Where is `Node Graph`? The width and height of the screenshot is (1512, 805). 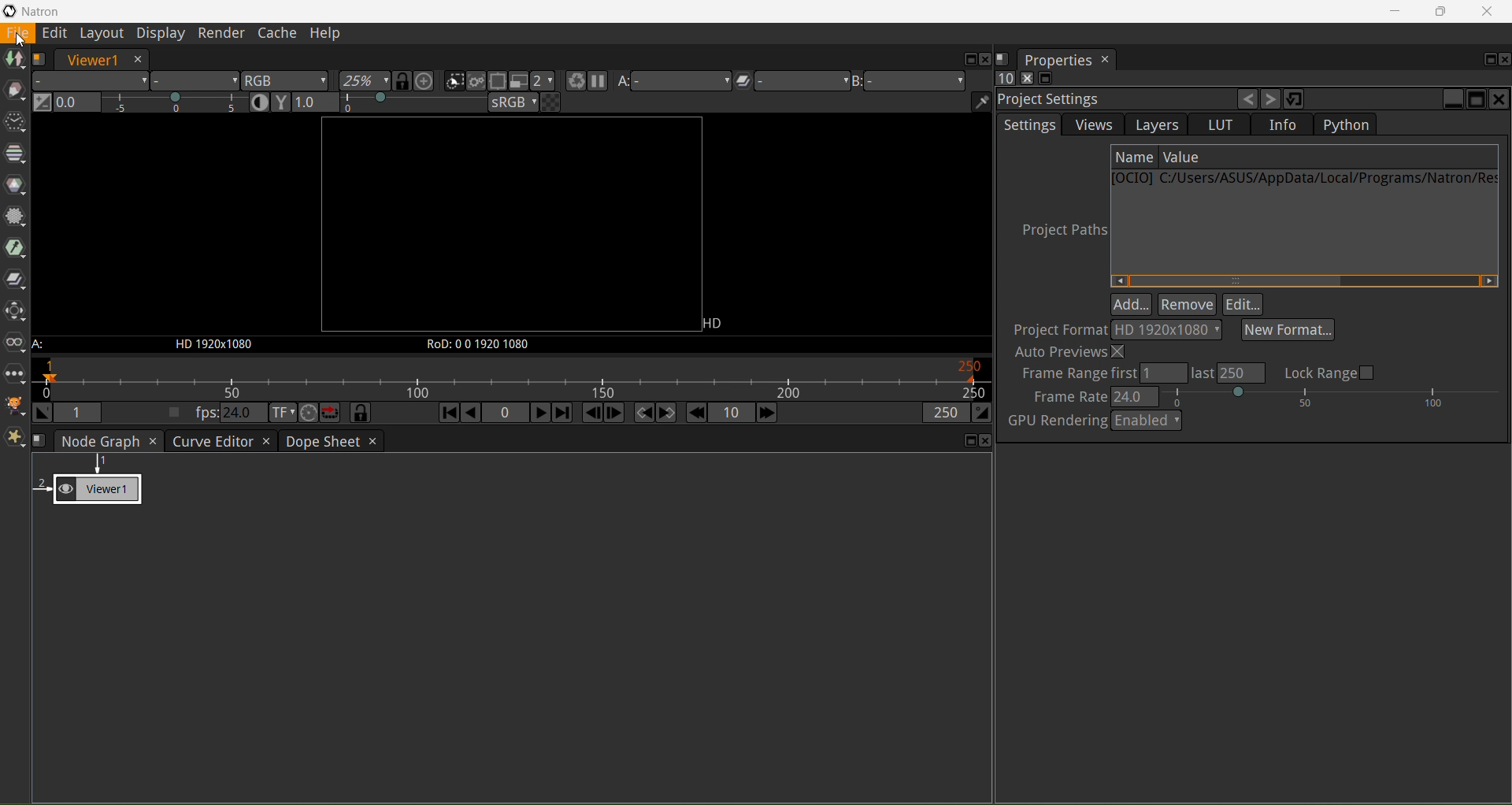 Node Graph is located at coordinates (100, 442).